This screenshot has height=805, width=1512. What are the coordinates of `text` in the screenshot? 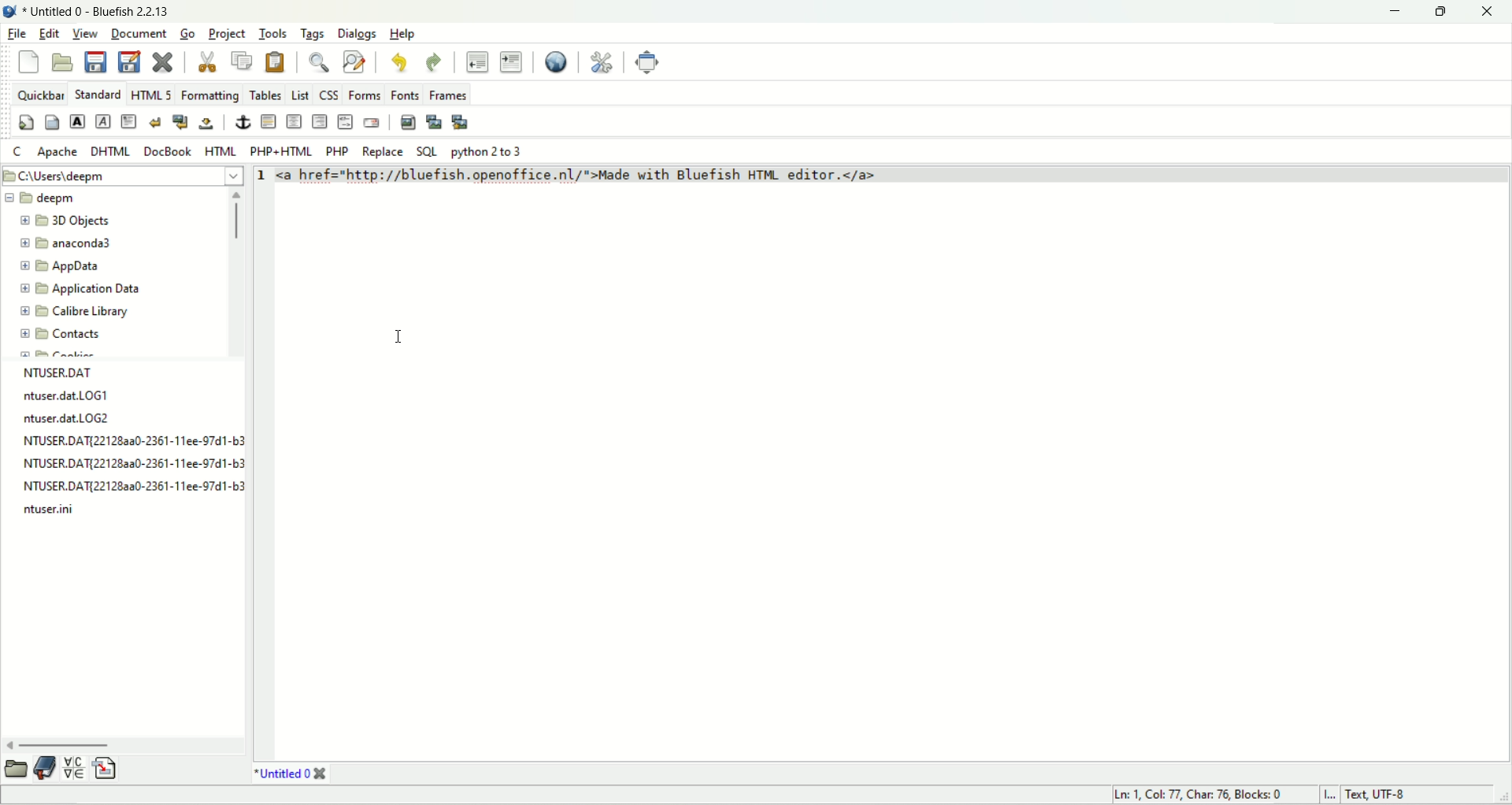 It's located at (128, 444).